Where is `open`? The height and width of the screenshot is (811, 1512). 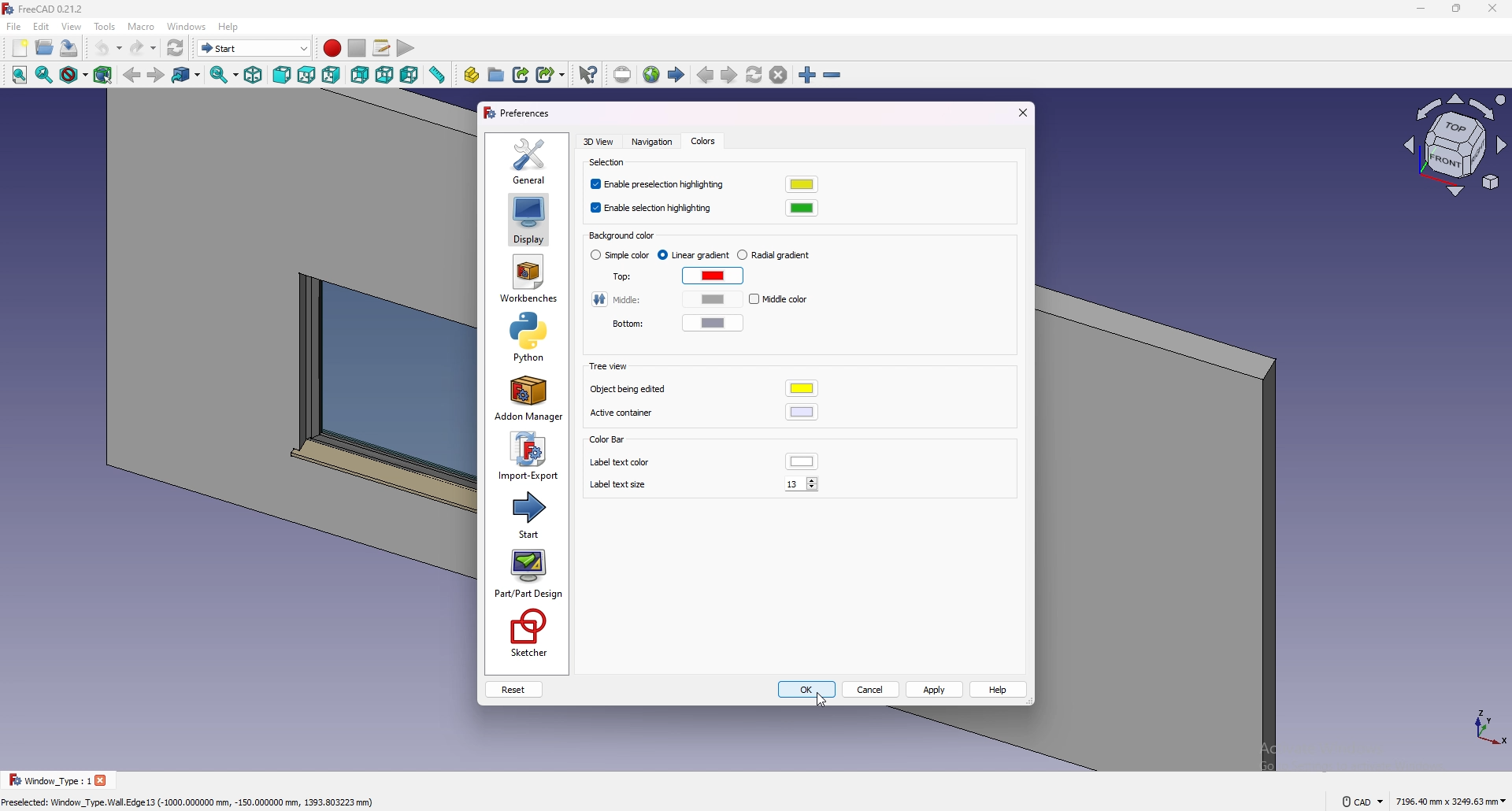
open is located at coordinates (46, 47).